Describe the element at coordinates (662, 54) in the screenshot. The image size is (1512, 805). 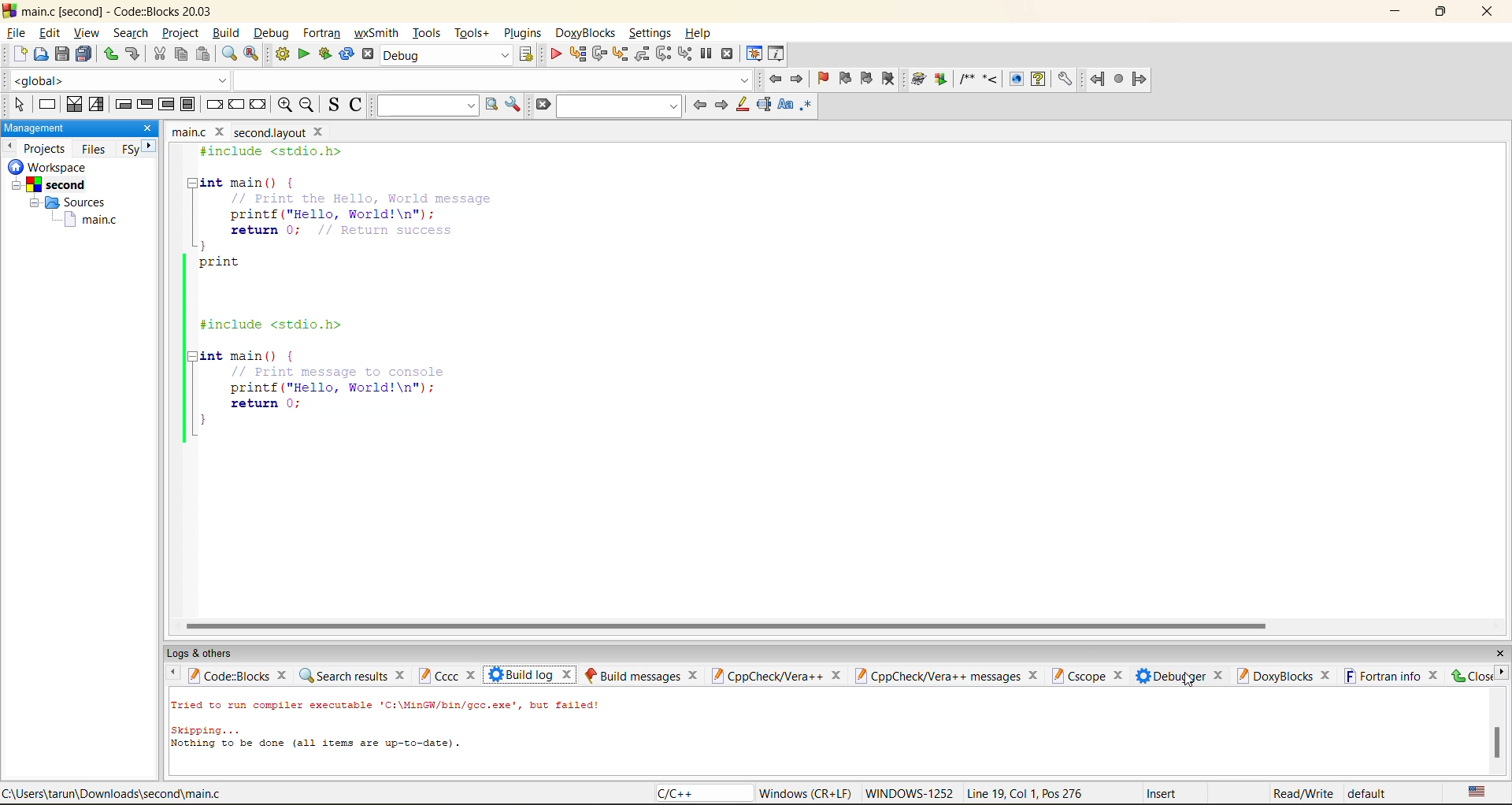
I see `next instruction` at that location.